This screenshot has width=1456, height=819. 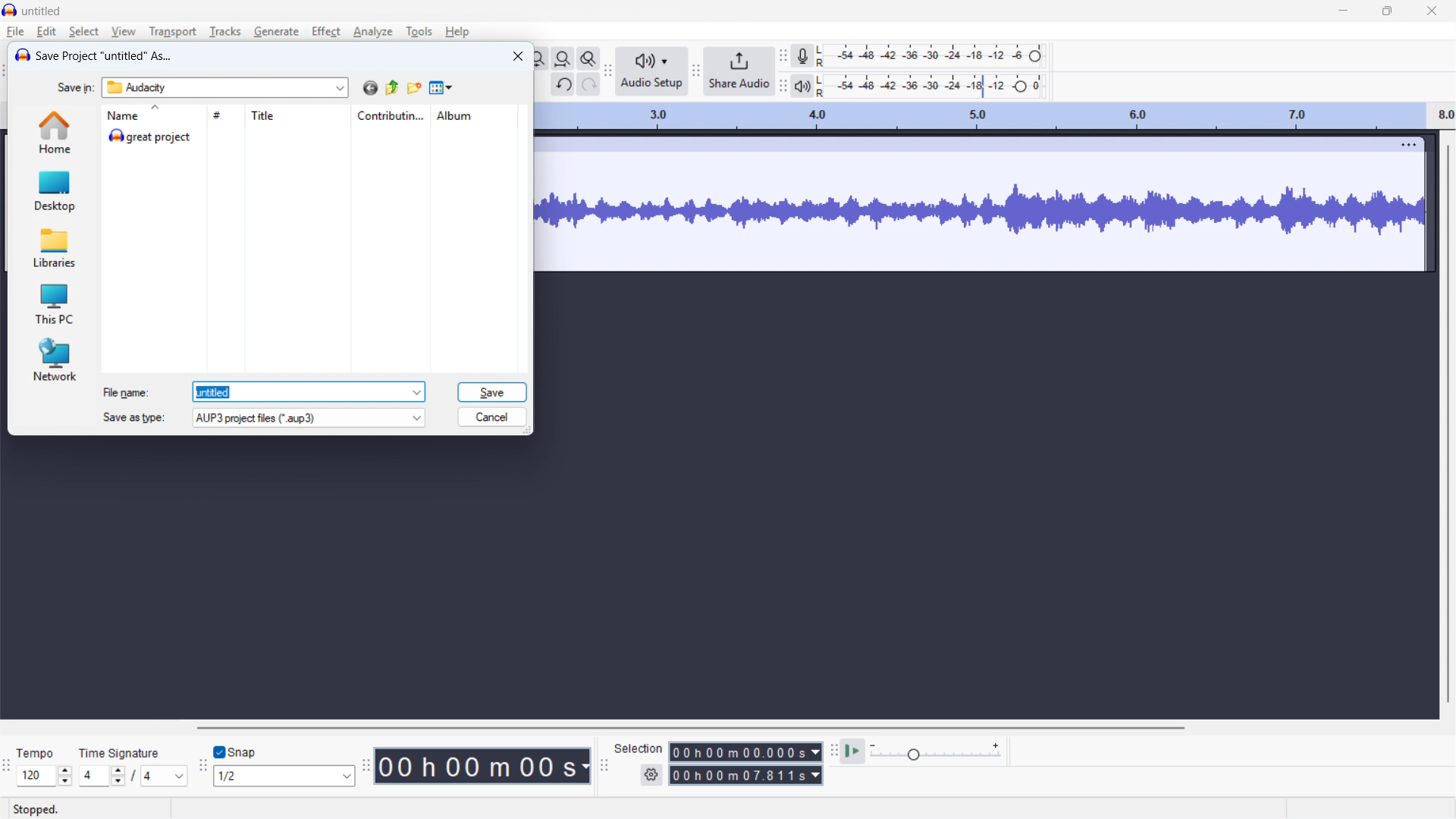 I want to click on redo, so click(x=589, y=85).